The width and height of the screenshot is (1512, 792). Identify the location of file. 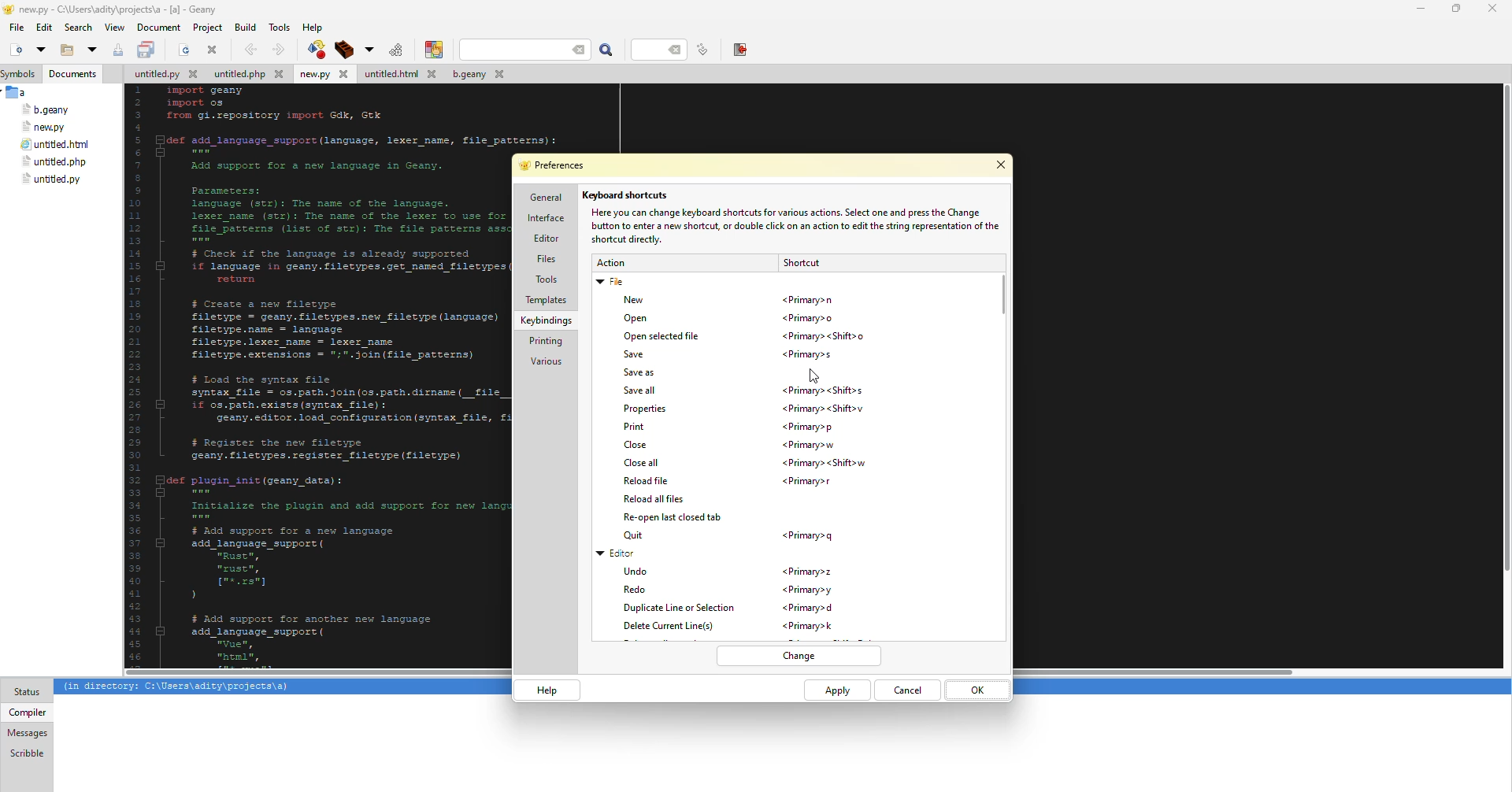
(55, 146).